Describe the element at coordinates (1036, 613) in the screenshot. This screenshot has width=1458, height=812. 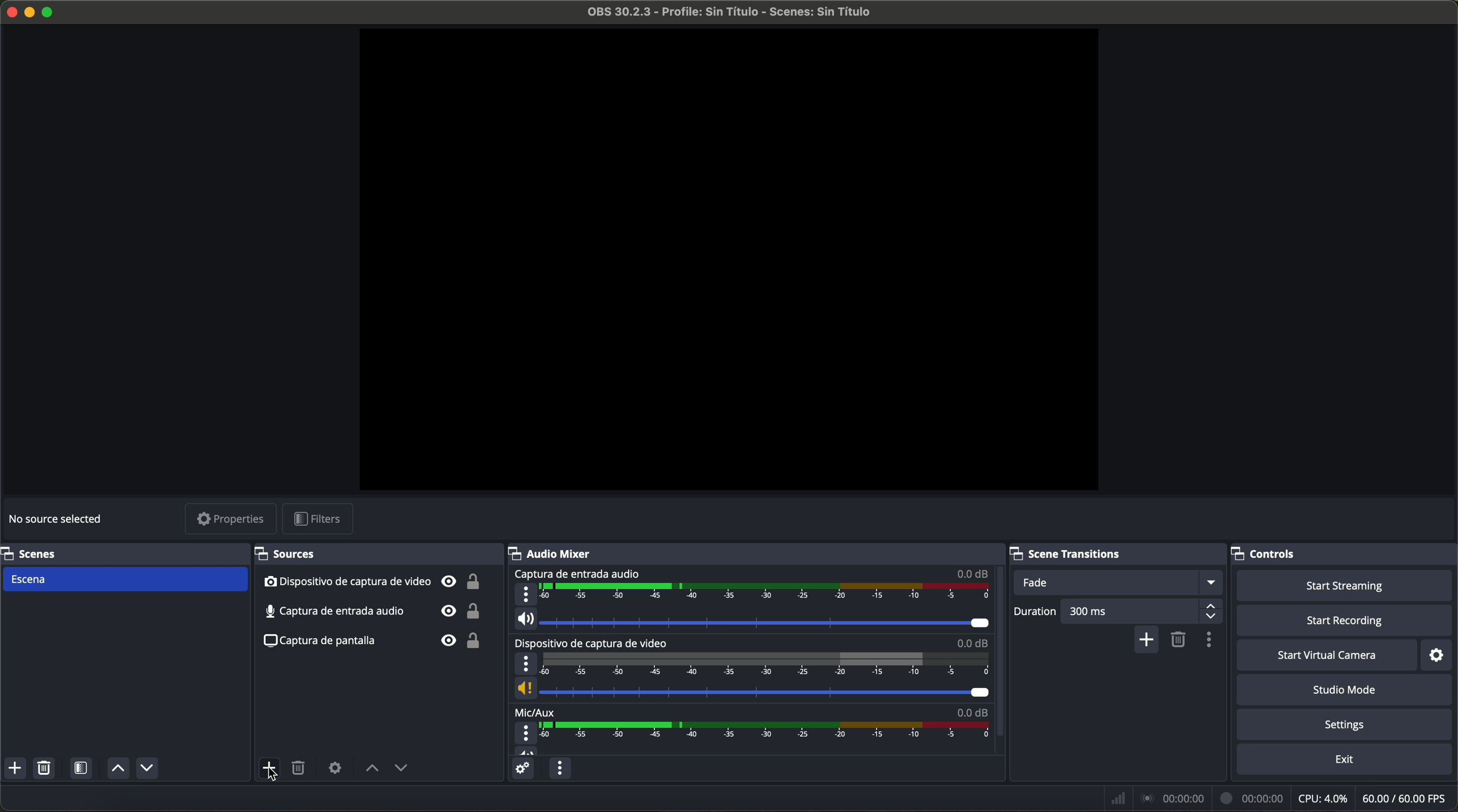
I see `duration` at that location.